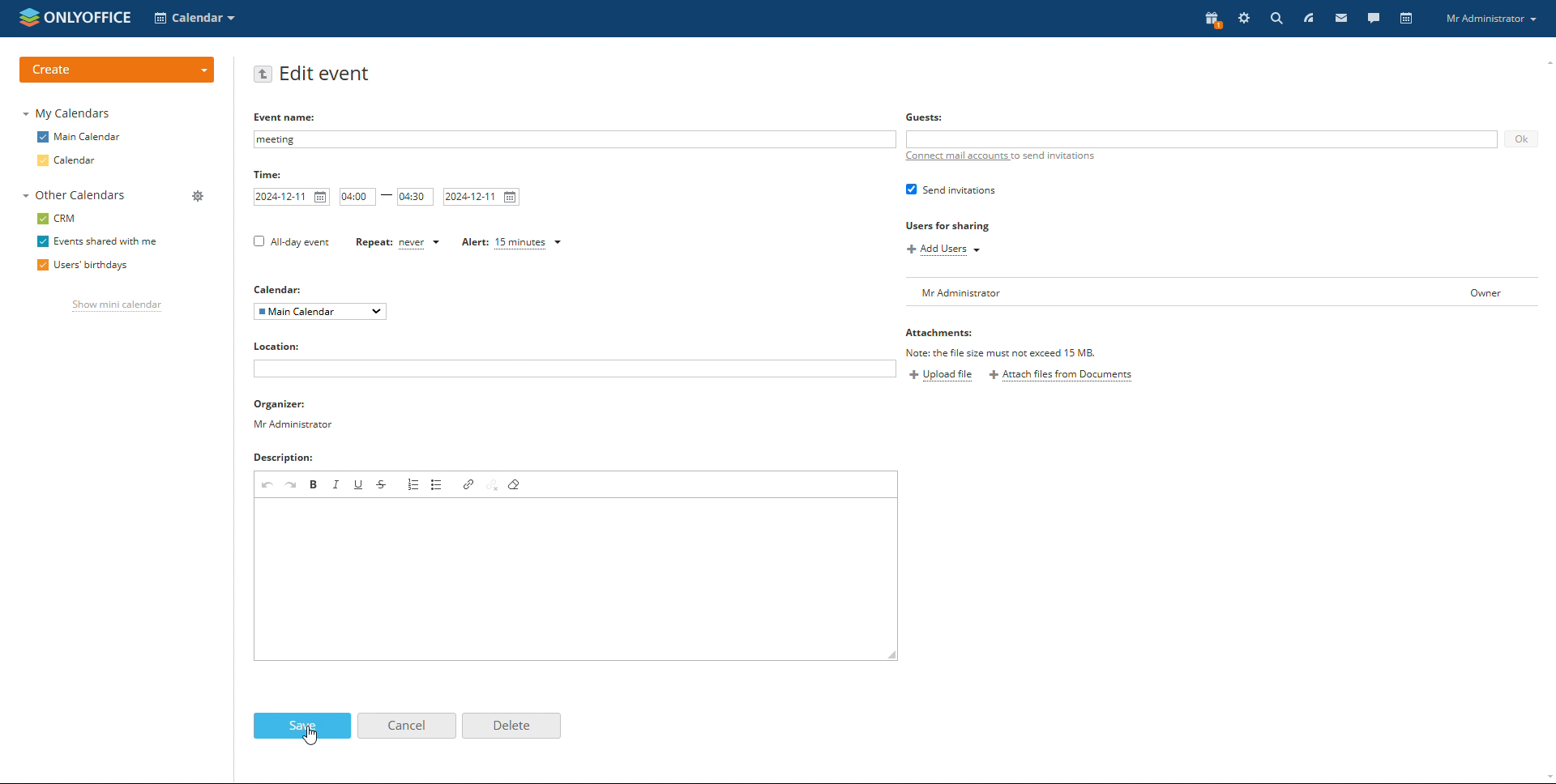 The height and width of the screenshot is (784, 1556). What do you see at coordinates (302, 726) in the screenshot?
I see `save` at bounding box center [302, 726].